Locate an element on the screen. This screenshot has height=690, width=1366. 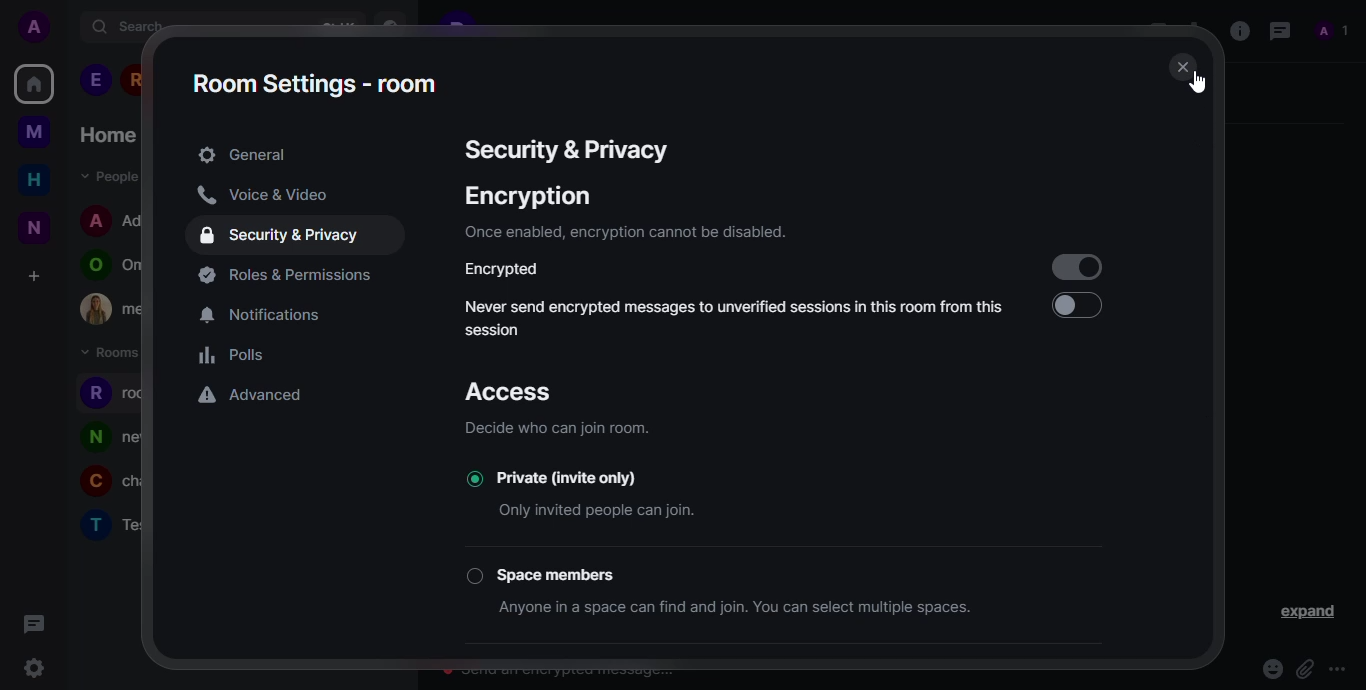
Voice & Video is located at coordinates (295, 196).